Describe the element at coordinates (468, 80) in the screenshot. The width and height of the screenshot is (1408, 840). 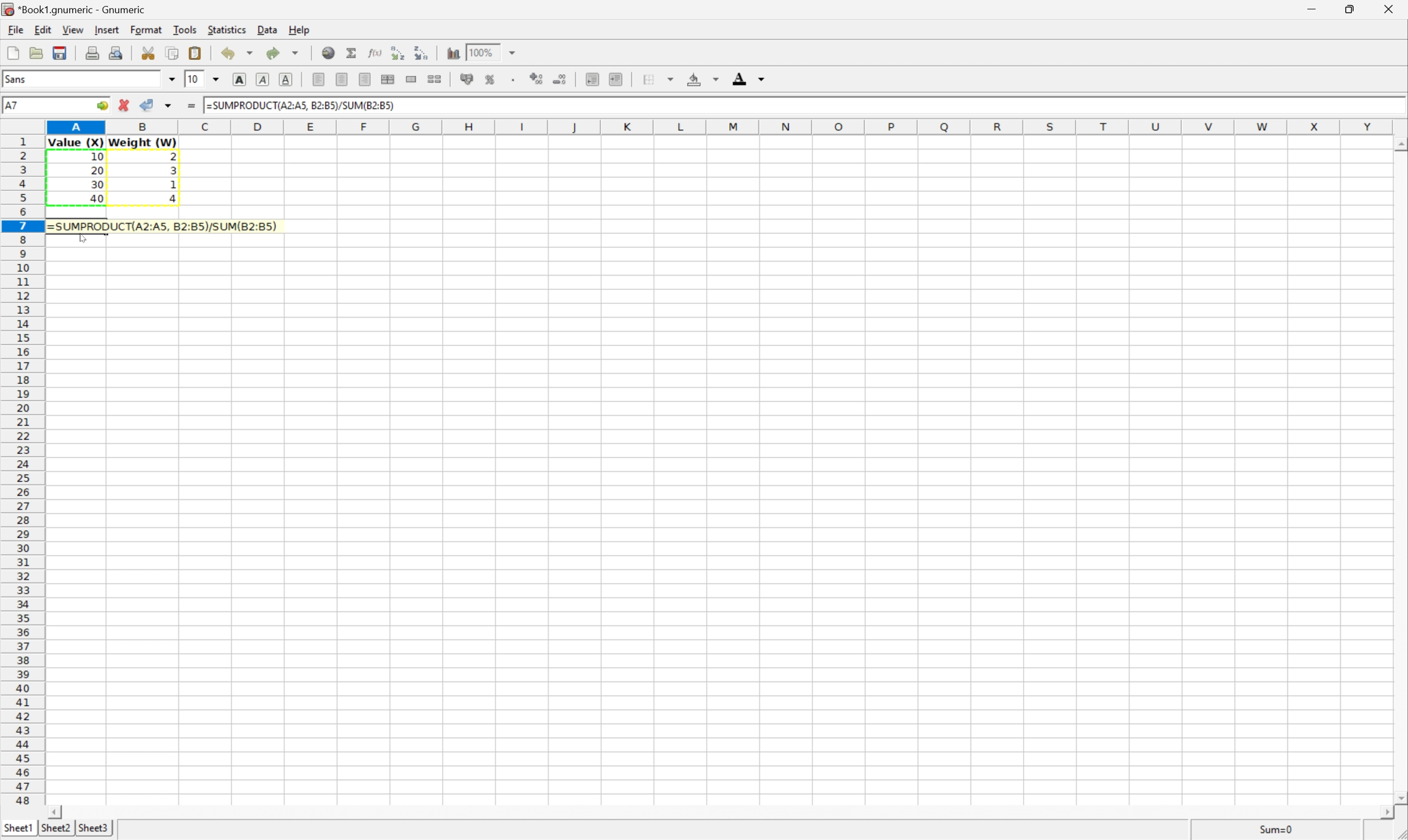
I see `Format selection as accounting` at that location.